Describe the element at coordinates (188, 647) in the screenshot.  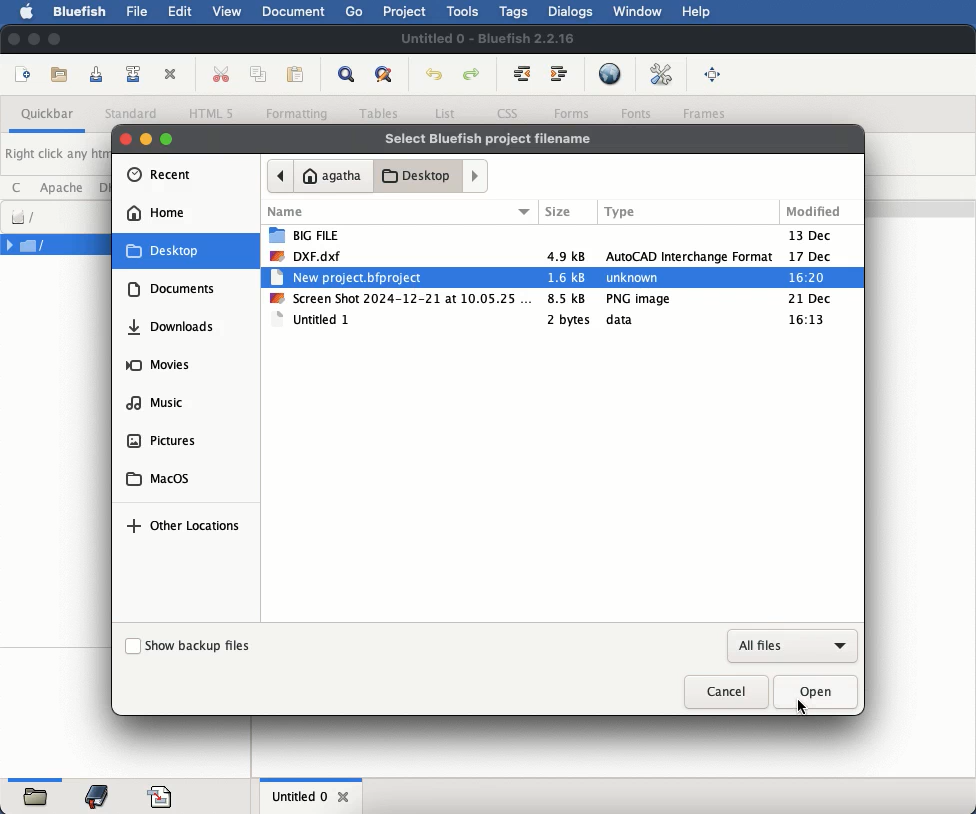
I see `show backup files` at that location.